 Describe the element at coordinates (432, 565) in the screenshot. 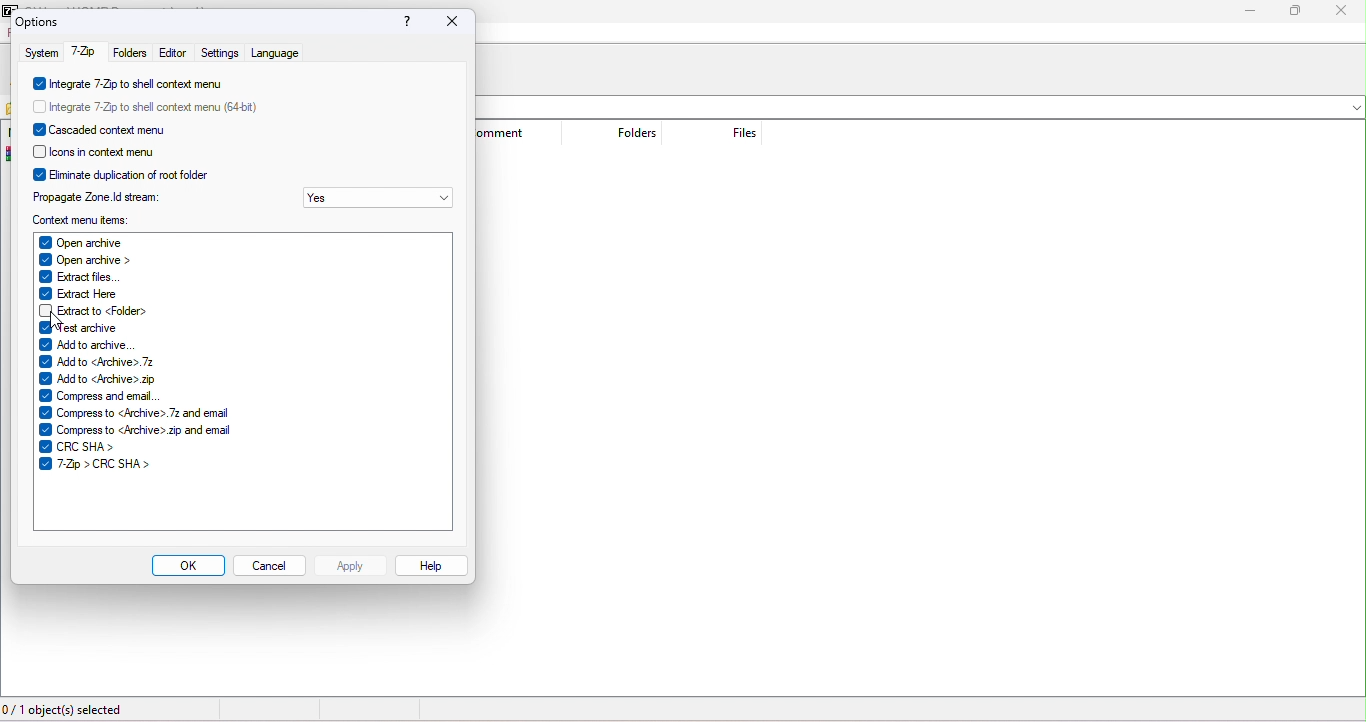

I see `help` at that location.